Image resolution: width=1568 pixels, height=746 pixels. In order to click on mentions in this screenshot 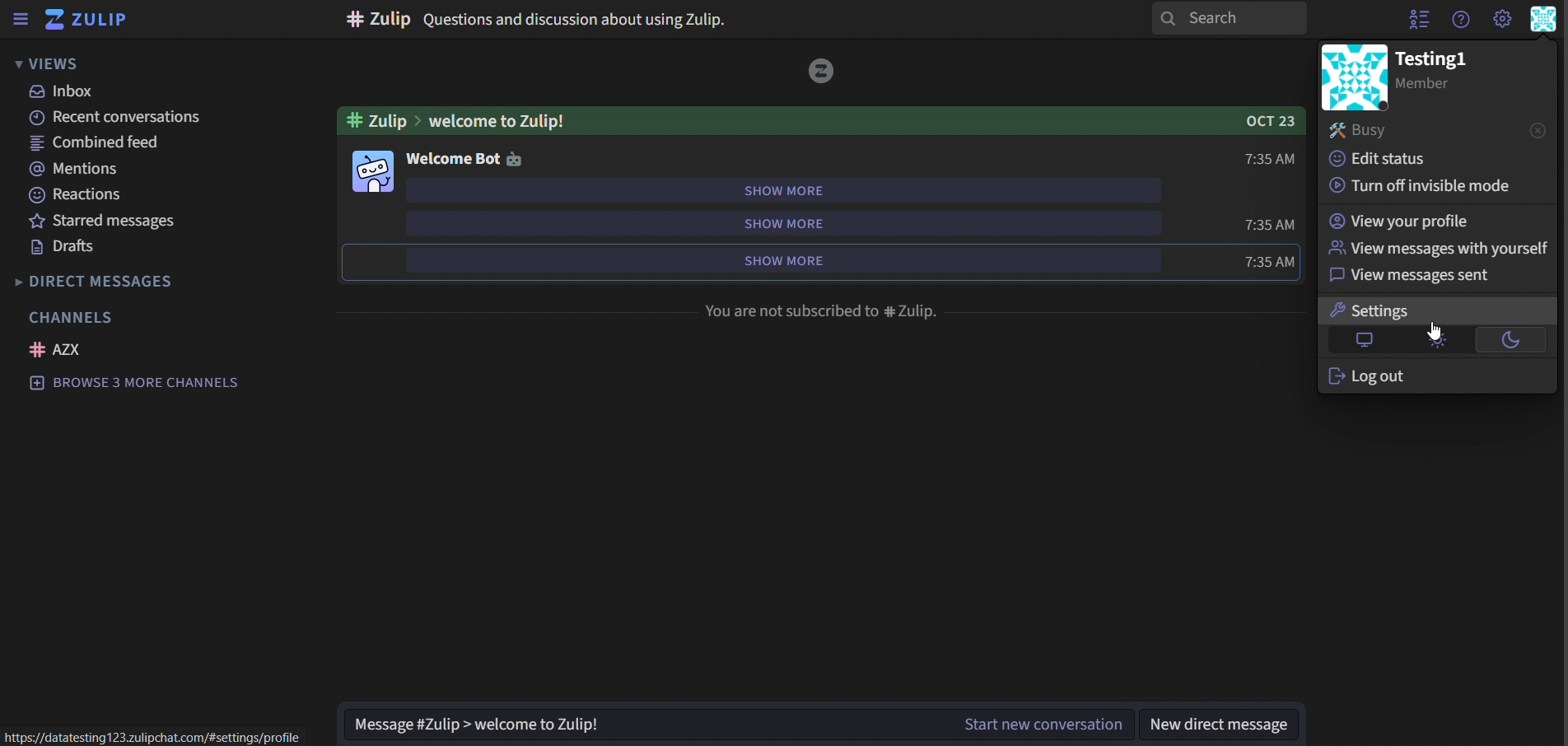, I will do `click(77, 168)`.